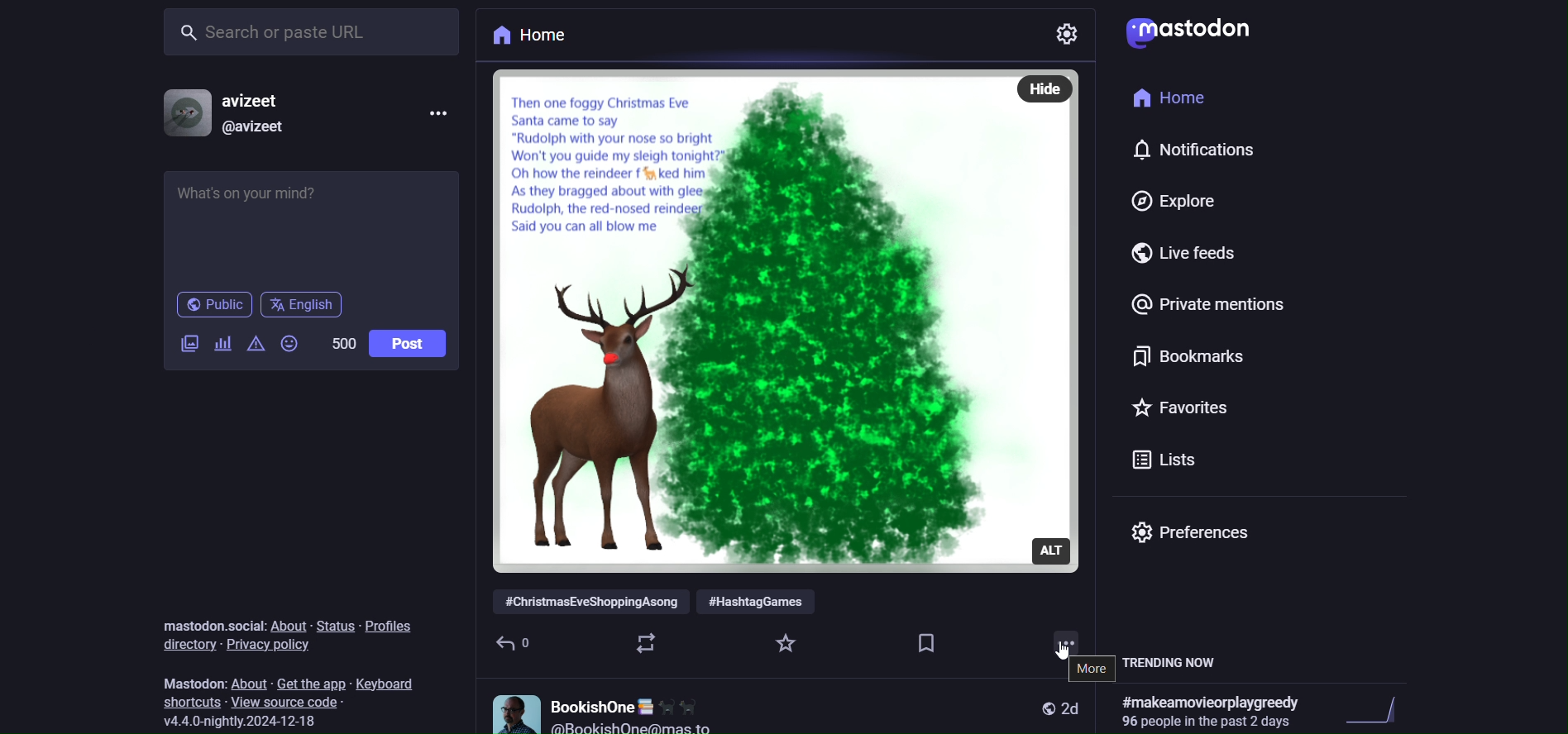 The image size is (1568, 734). What do you see at coordinates (248, 682) in the screenshot?
I see `about` at bounding box center [248, 682].